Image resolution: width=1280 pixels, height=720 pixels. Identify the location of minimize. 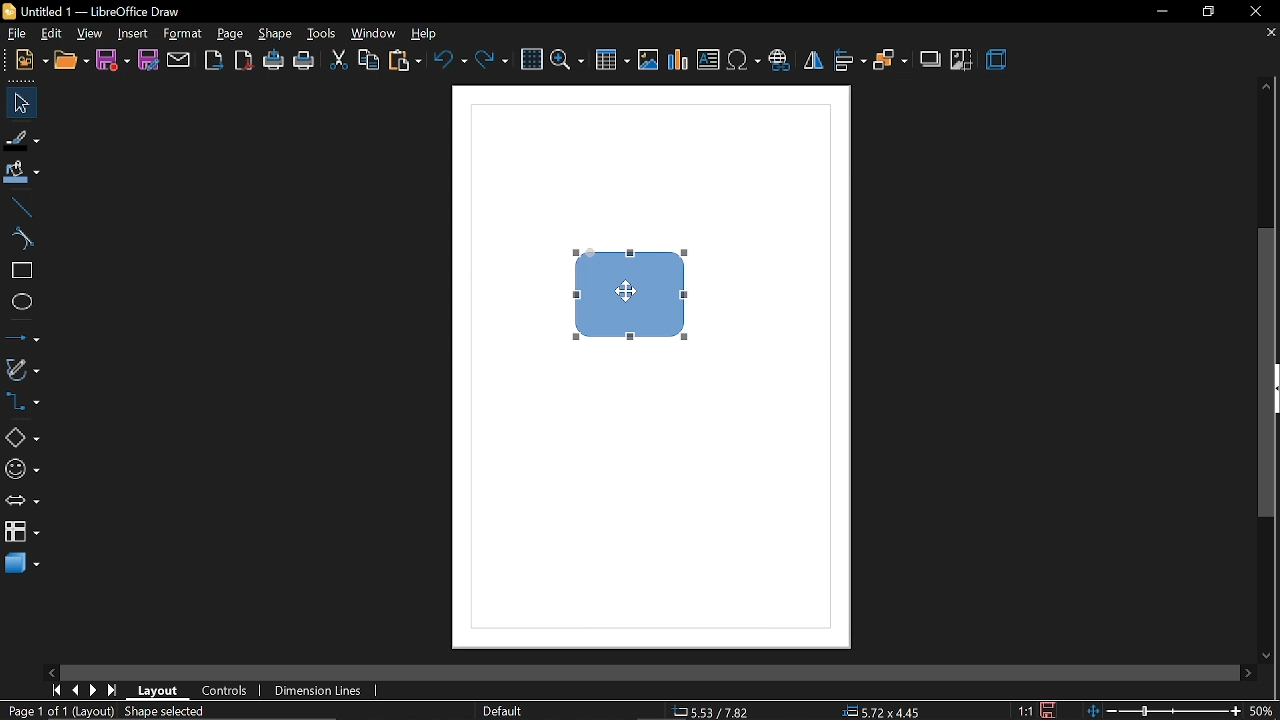
(1161, 11).